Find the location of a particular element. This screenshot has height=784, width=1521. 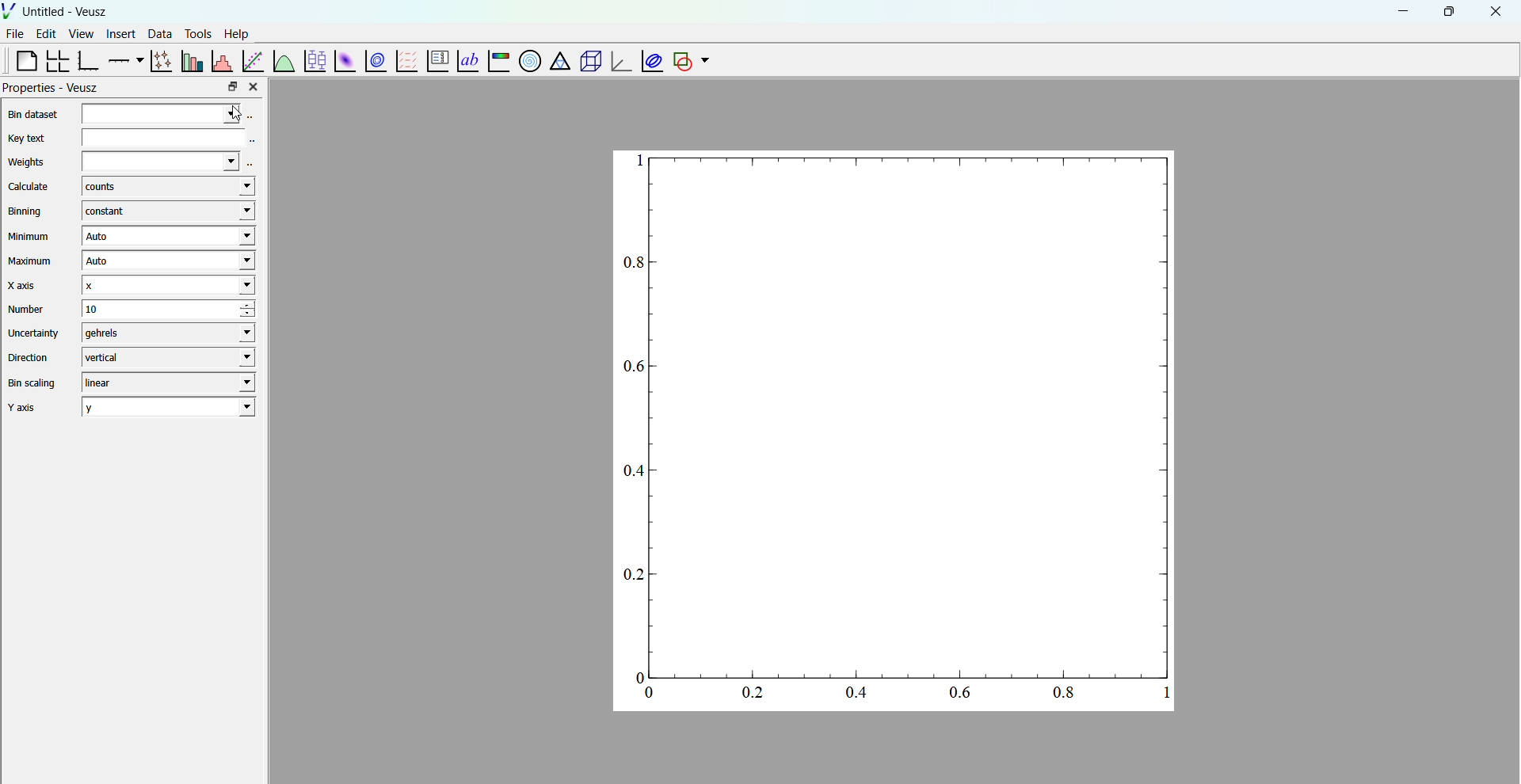

decrease number is located at coordinates (257, 315).